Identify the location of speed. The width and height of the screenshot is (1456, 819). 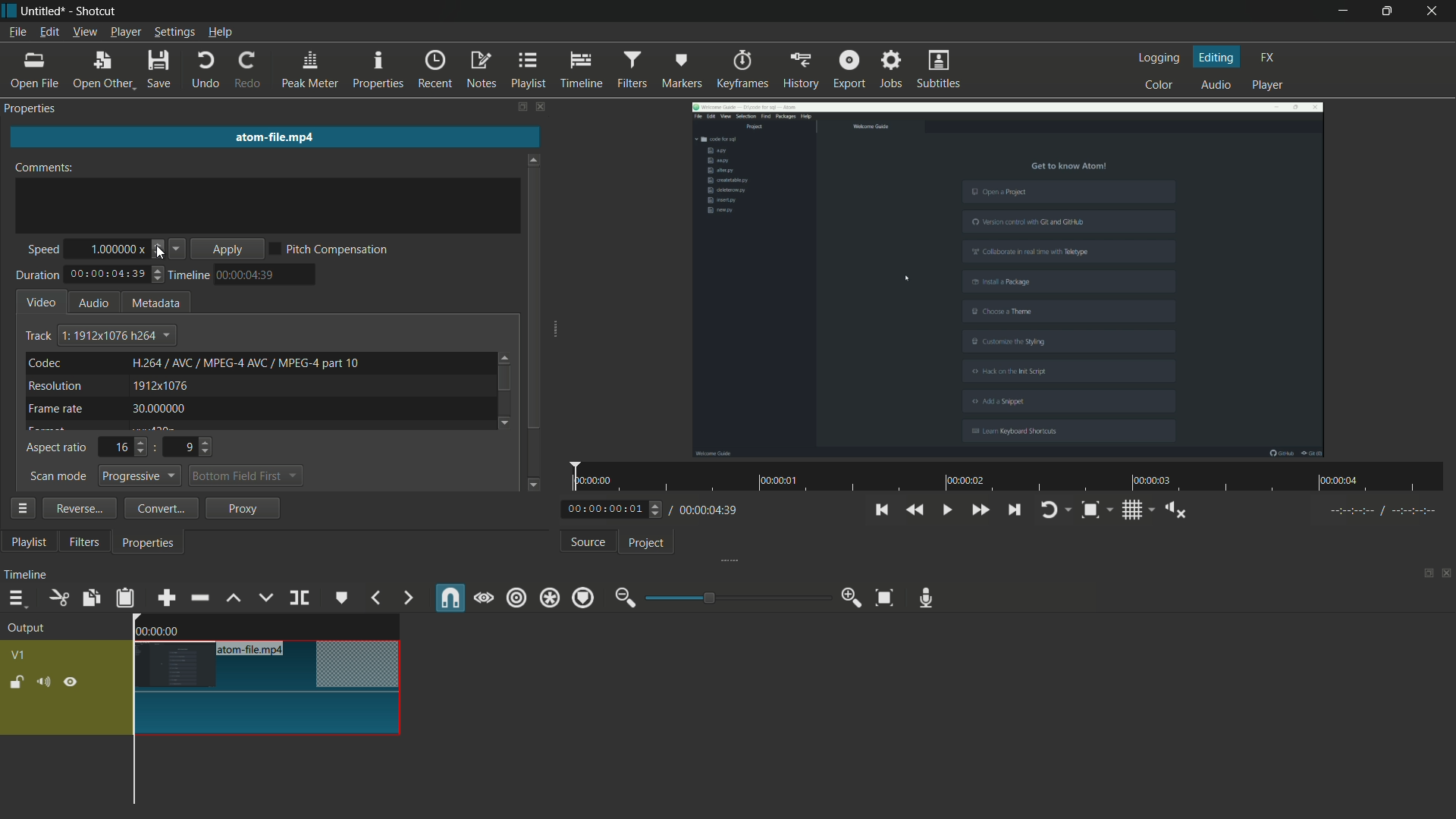
(40, 250).